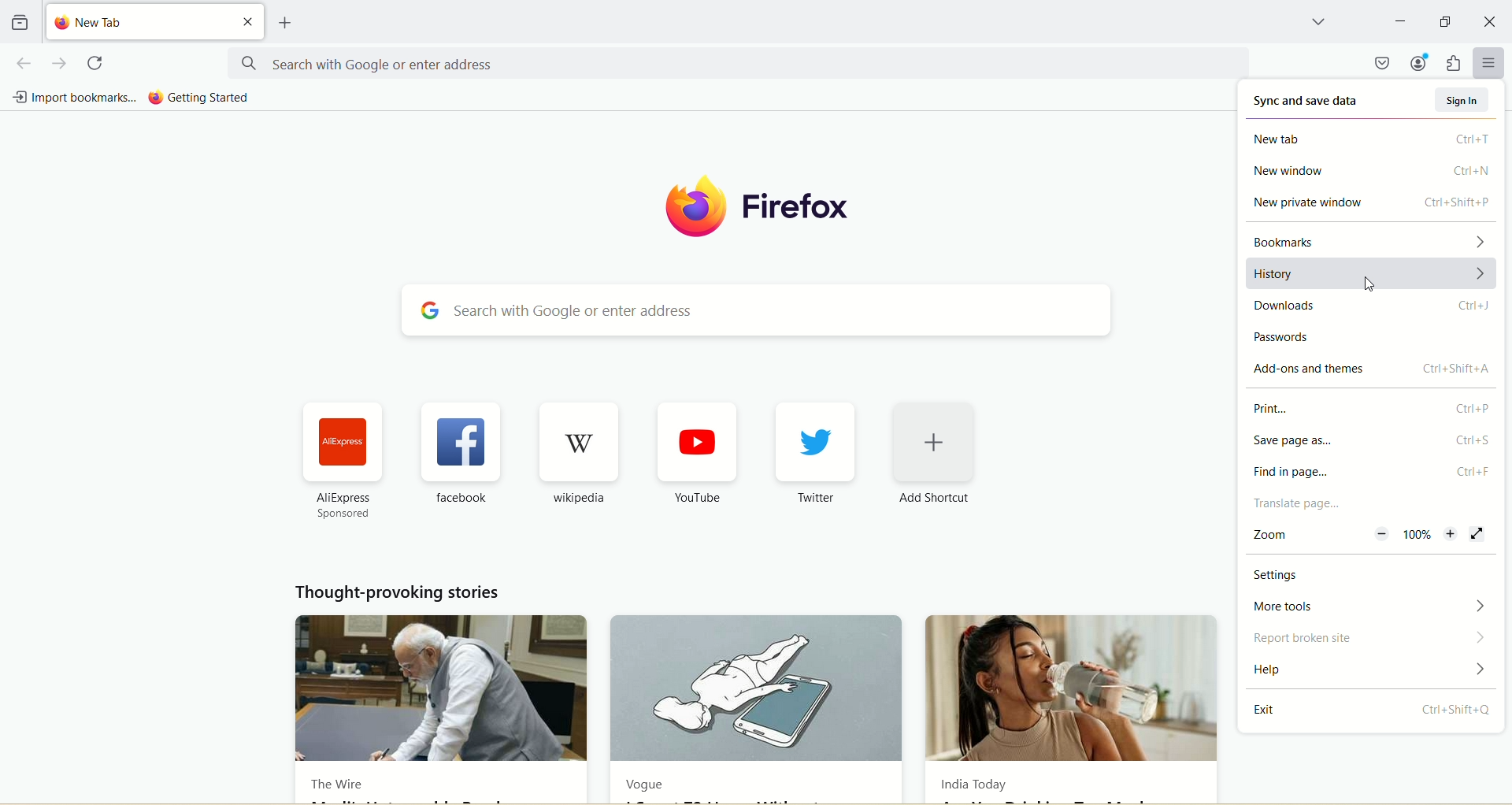  Describe the element at coordinates (1381, 533) in the screenshot. I see `zoom out` at that location.